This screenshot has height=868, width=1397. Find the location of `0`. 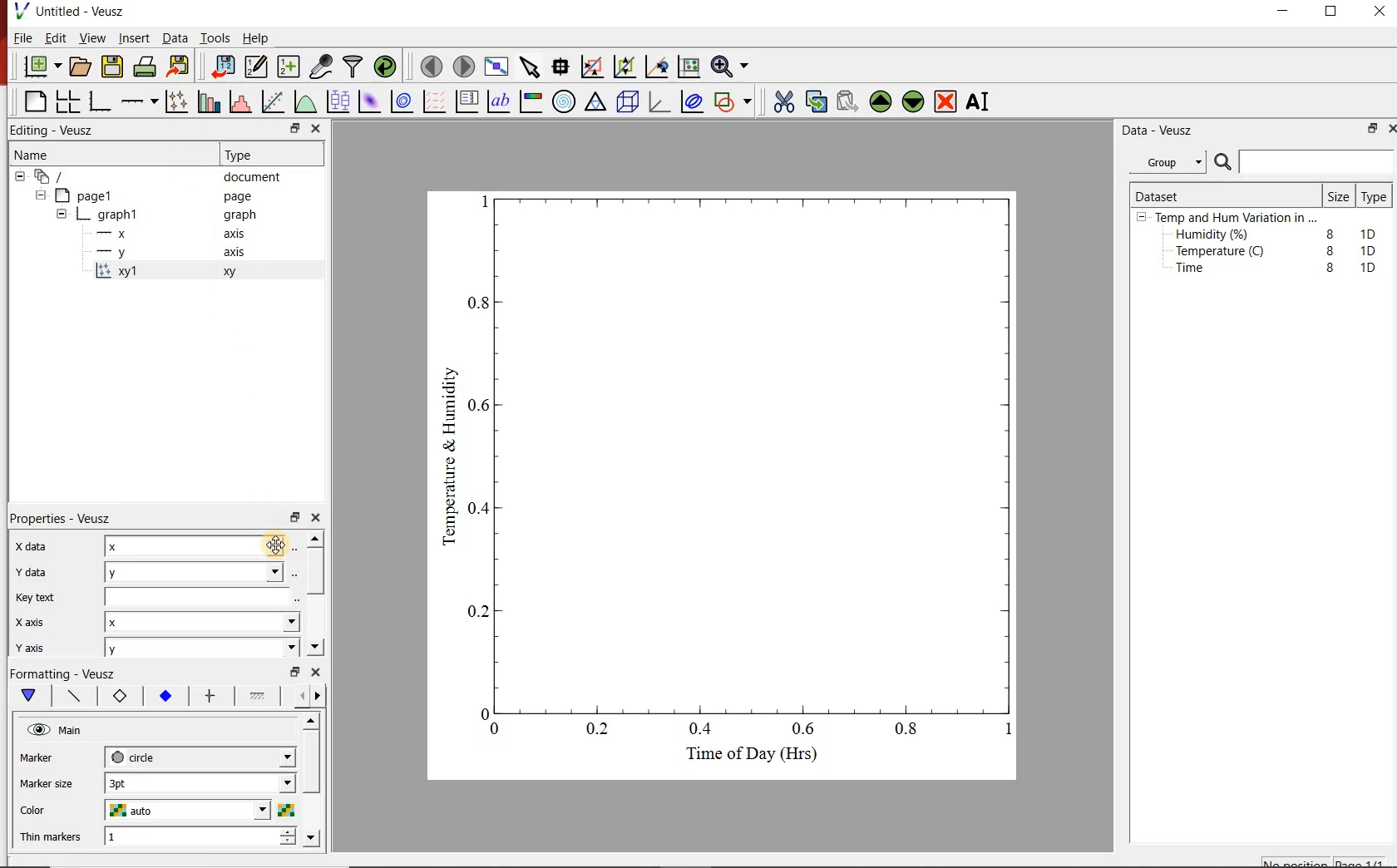

0 is located at coordinates (479, 711).